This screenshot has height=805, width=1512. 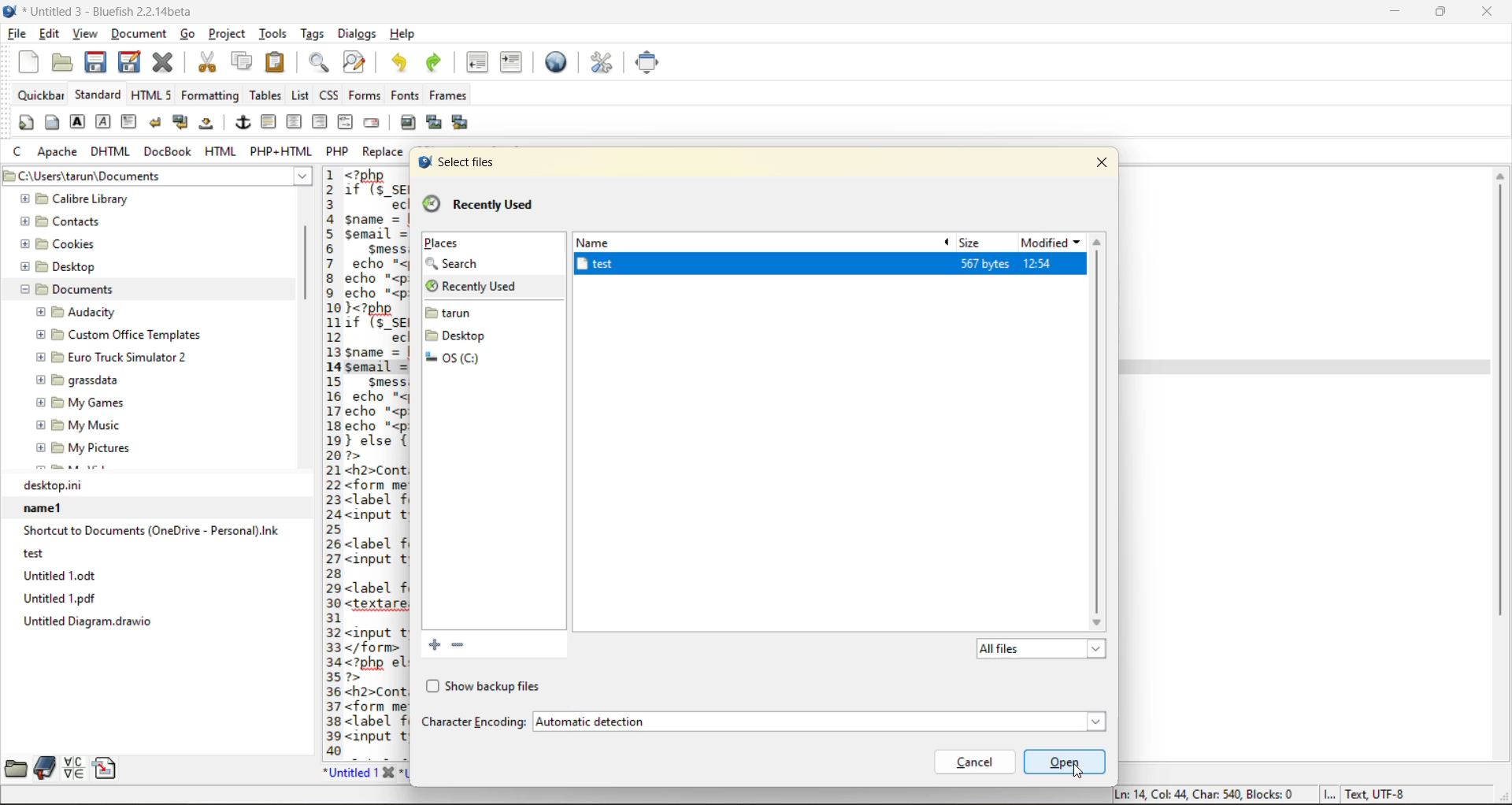 I want to click on insert image, so click(x=410, y=123).